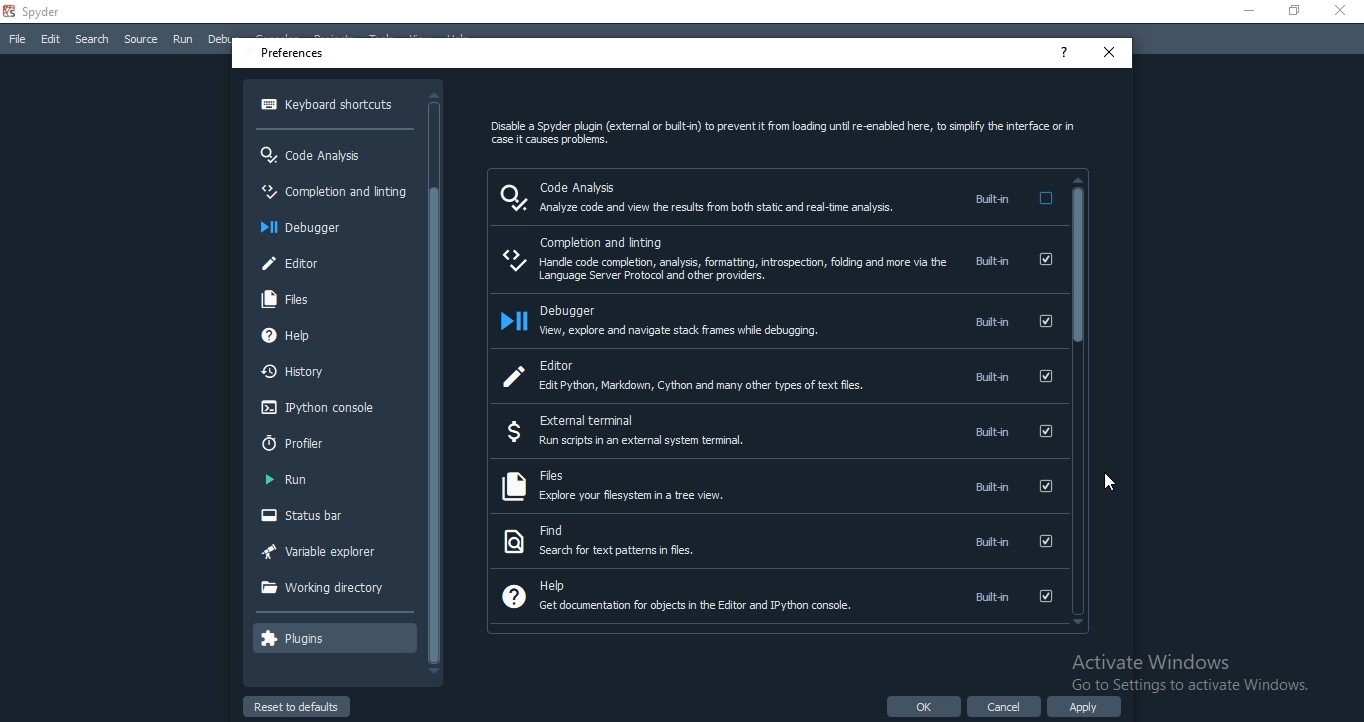 This screenshot has width=1364, height=722. I want to click on history, so click(331, 373).